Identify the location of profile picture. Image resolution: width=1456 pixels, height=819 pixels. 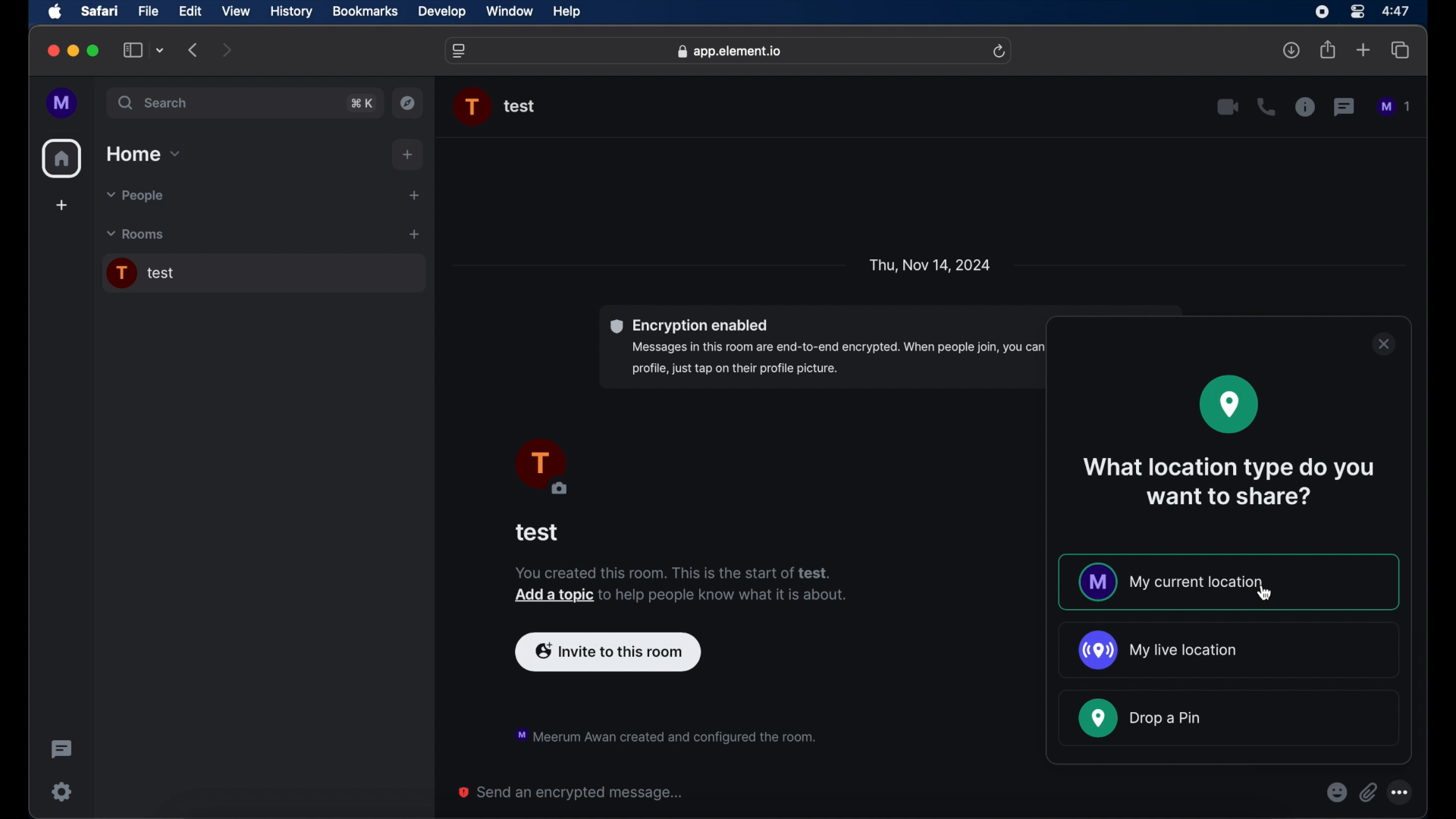
(540, 468).